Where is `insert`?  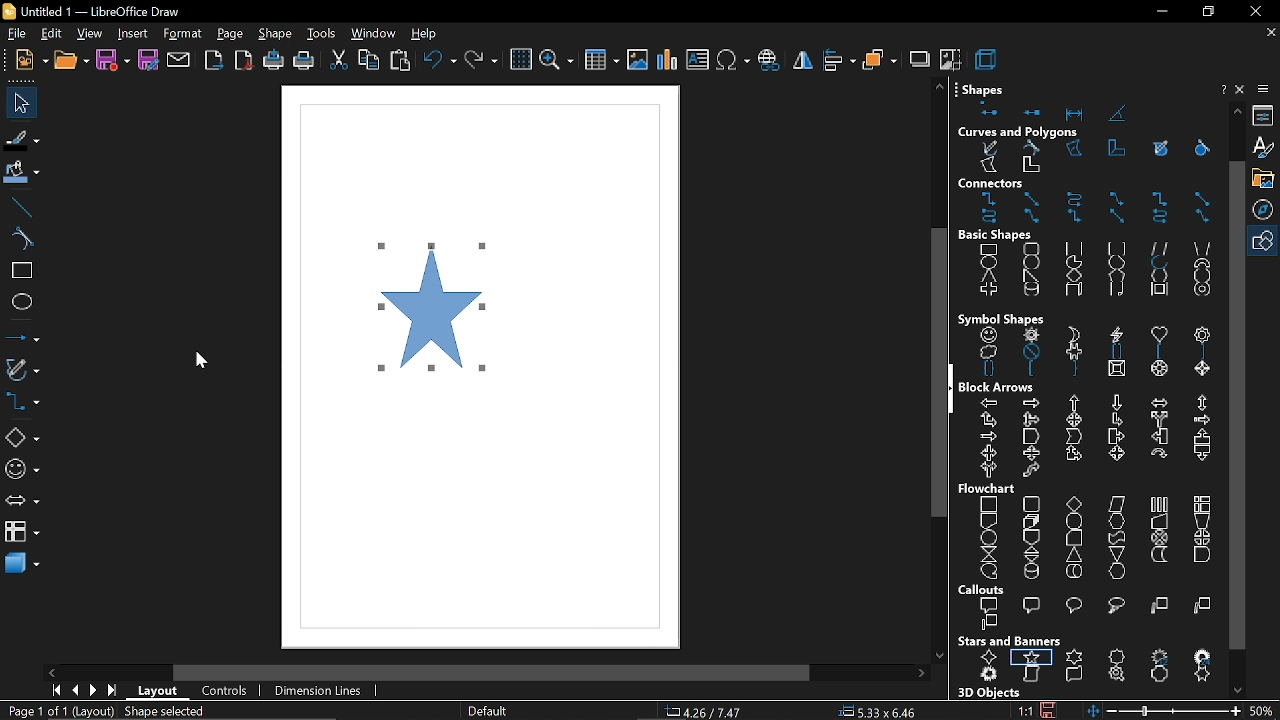 insert is located at coordinates (130, 34).